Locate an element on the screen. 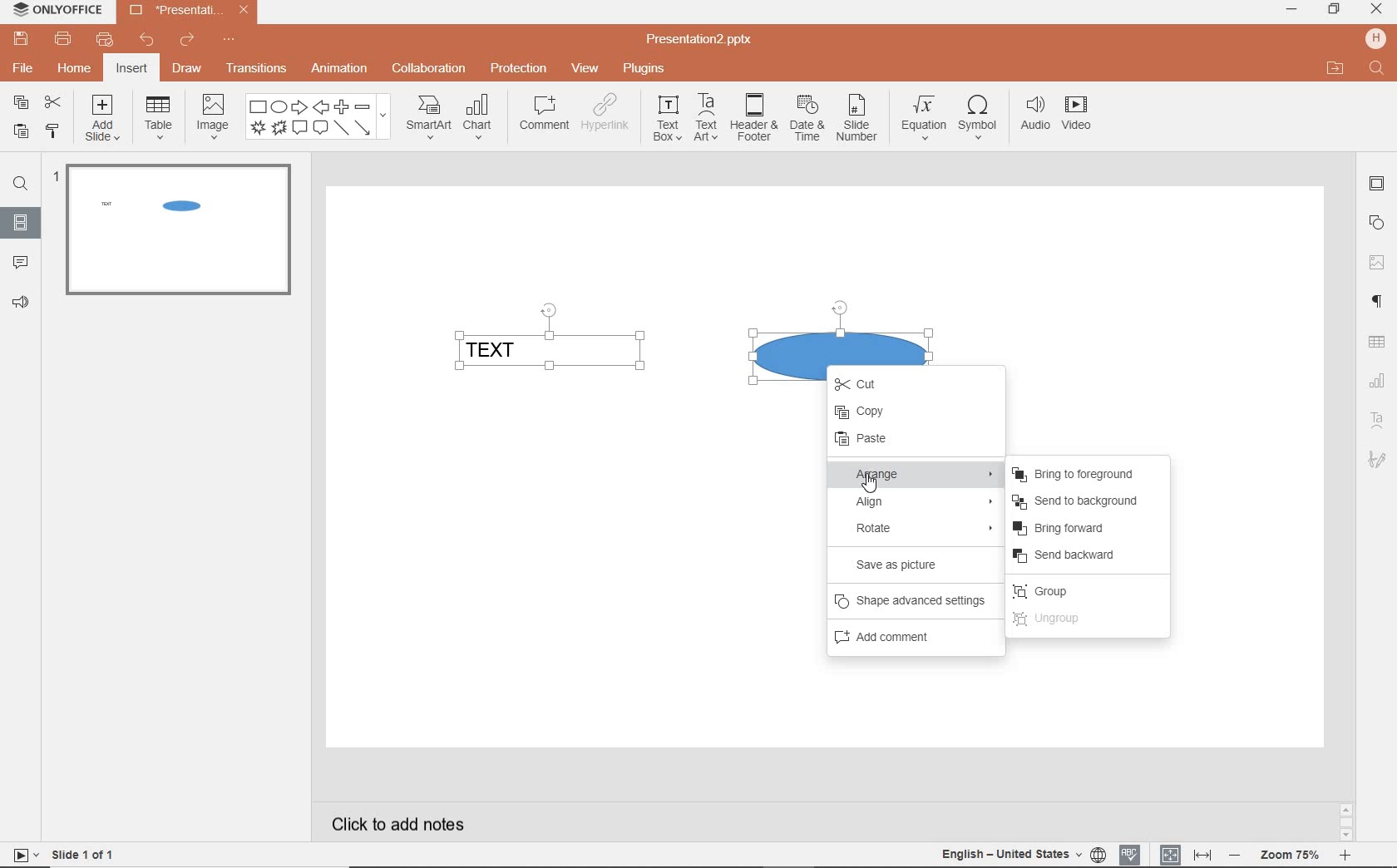 The width and height of the screenshot is (1397, 868). home is located at coordinates (76, 69).